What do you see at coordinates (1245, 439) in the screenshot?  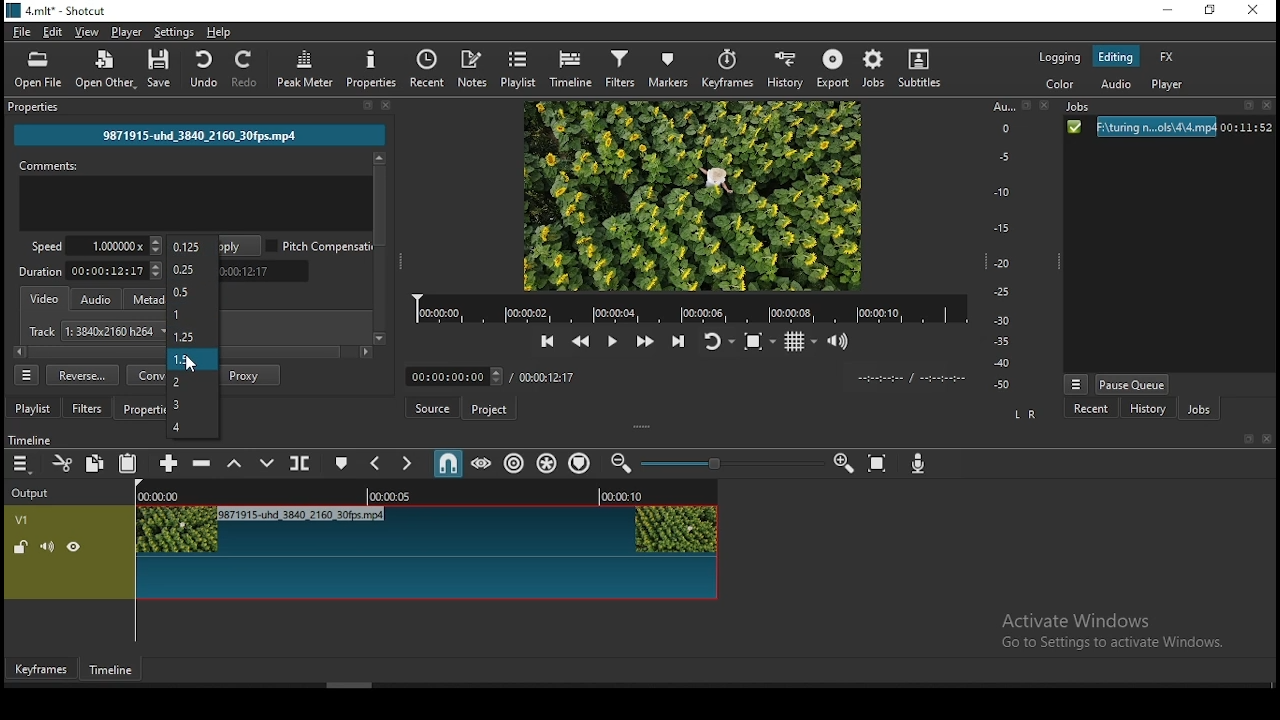 I see `bookmark` at bounding box center [1245, 439].